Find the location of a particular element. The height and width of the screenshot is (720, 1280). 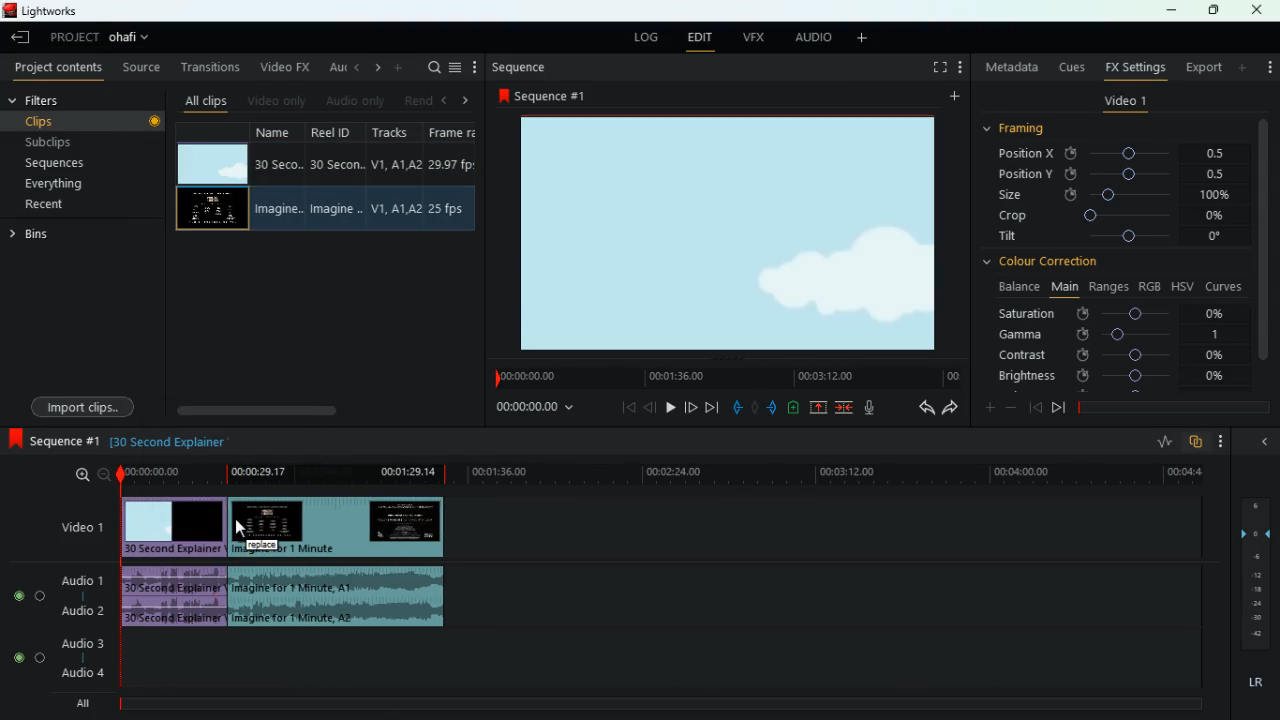

time is located at coordinates (725, 378).